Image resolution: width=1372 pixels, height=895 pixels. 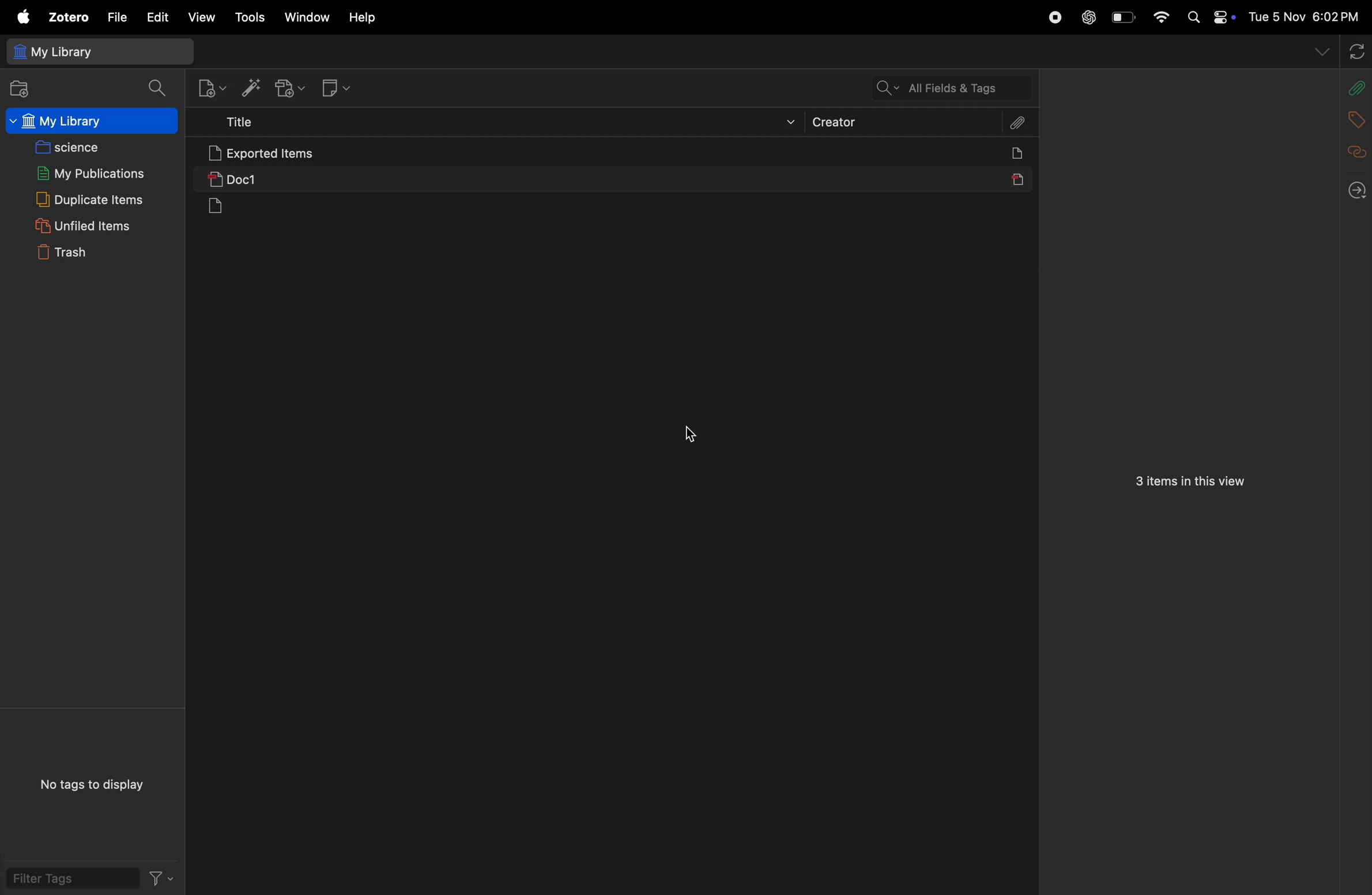 I want to click on wifi, so click(x=1160, y=17).